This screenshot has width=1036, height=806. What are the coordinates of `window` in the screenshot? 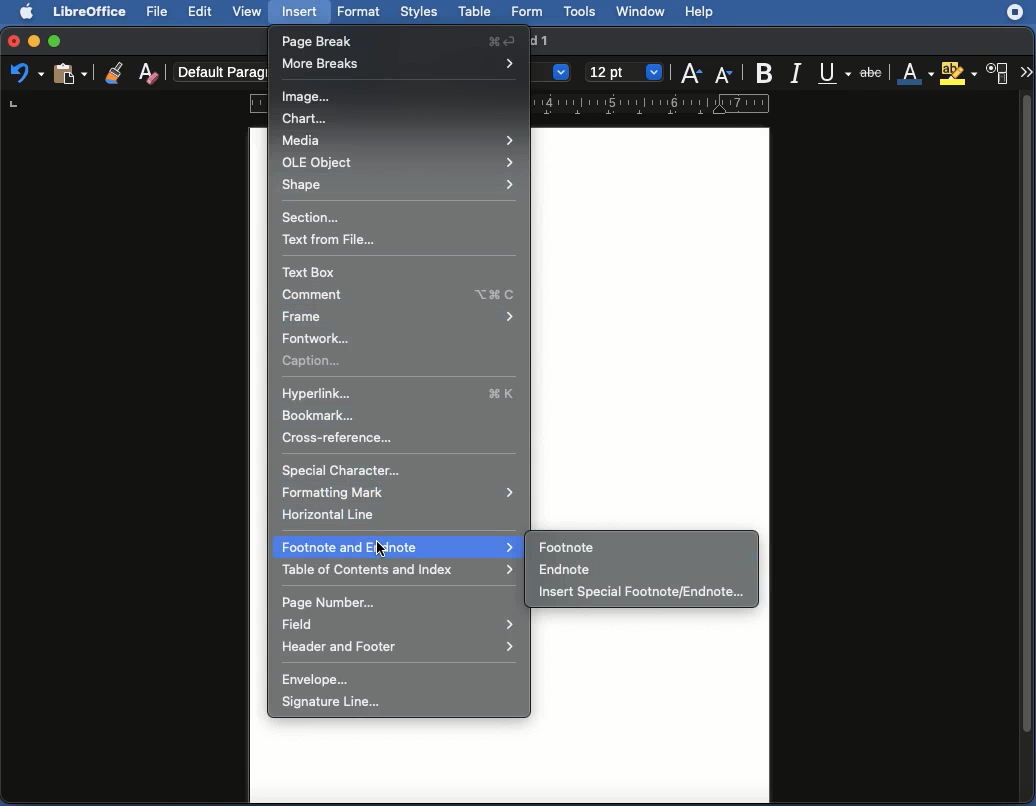 It's located at (637, 13).